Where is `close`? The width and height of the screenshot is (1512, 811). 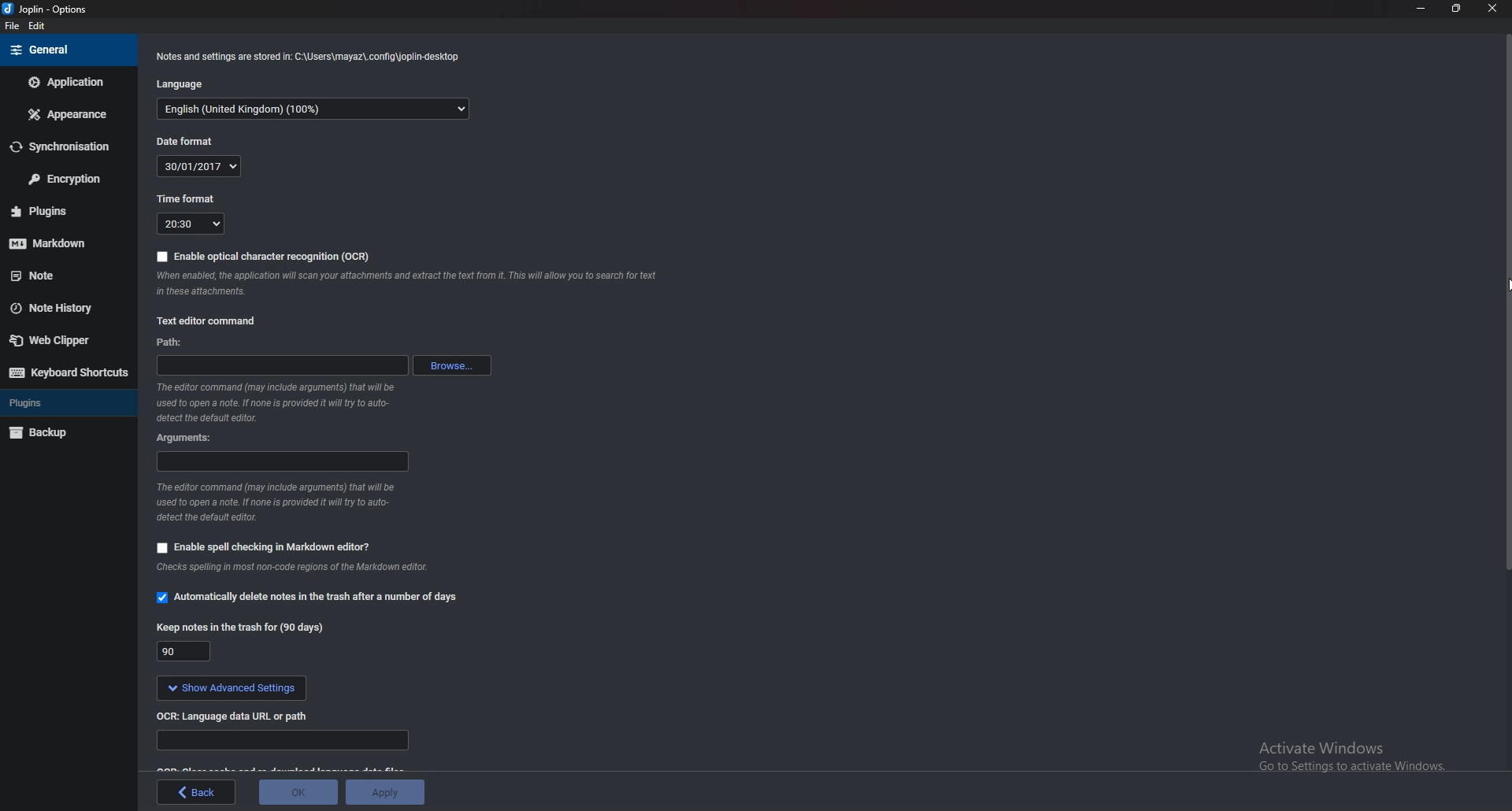 close is located at coordinates (1490, 8).